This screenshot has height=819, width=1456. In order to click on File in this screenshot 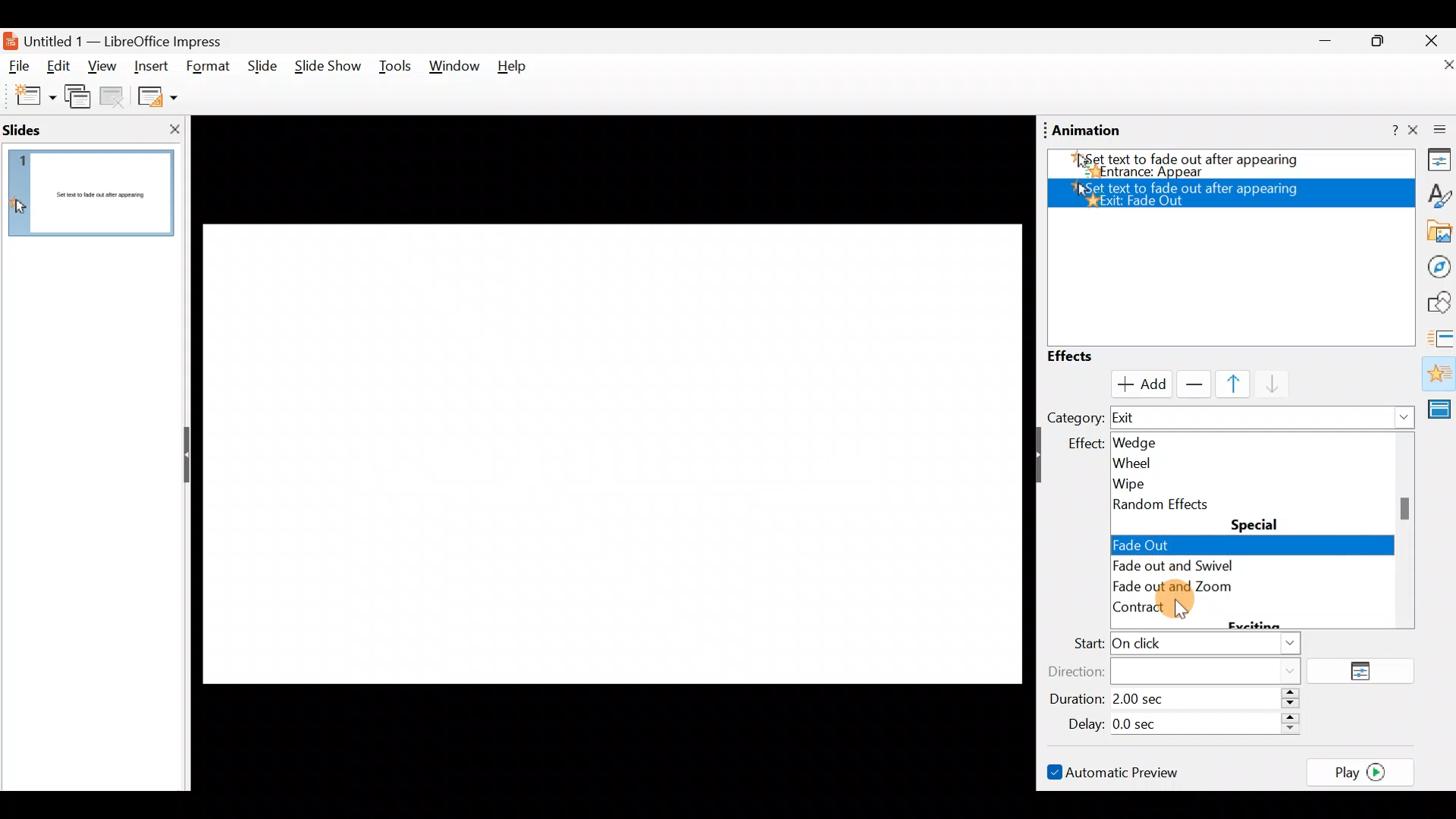, I will do `click(20, 67)`.